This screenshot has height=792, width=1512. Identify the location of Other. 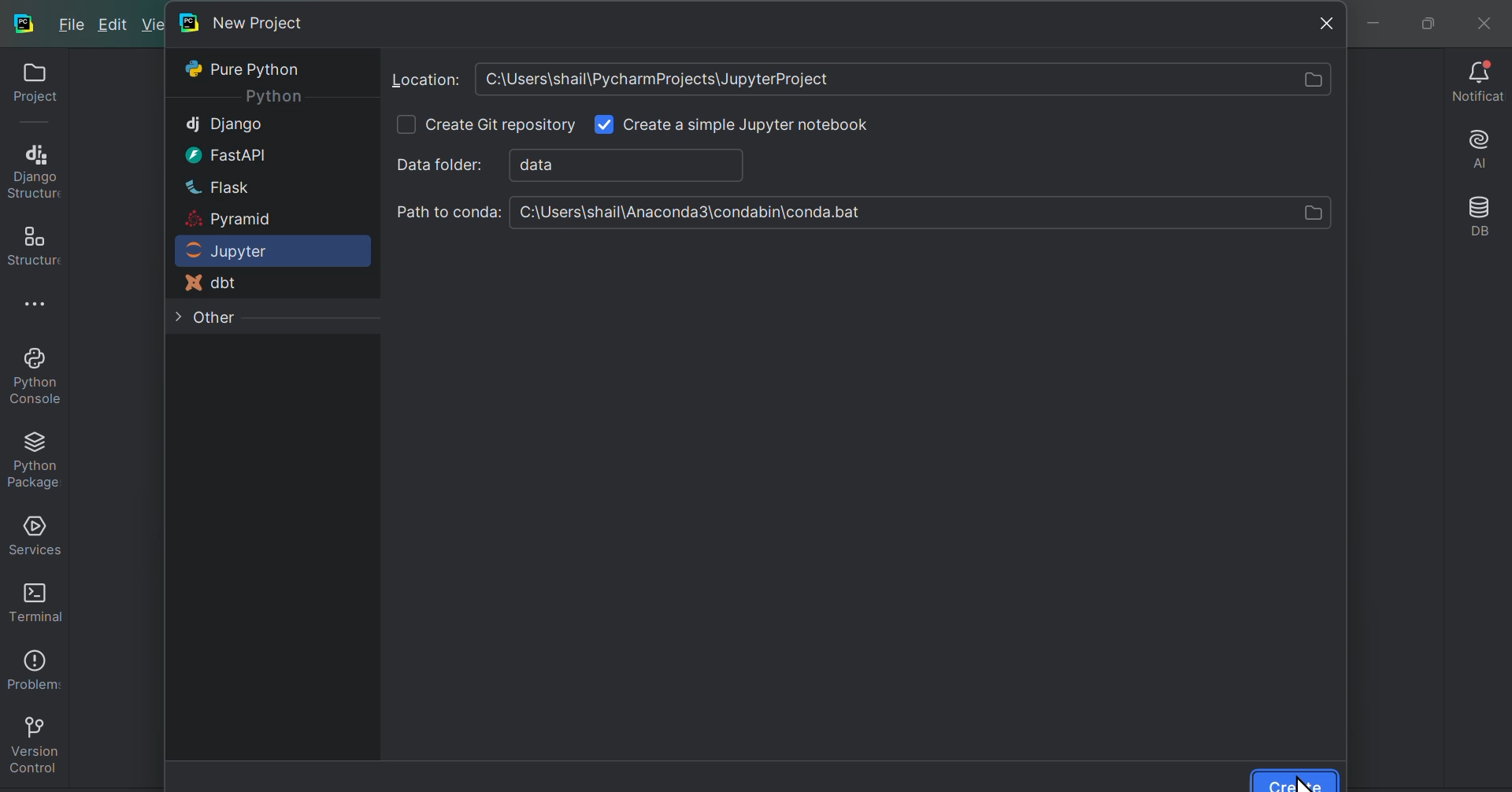
(212, 319).